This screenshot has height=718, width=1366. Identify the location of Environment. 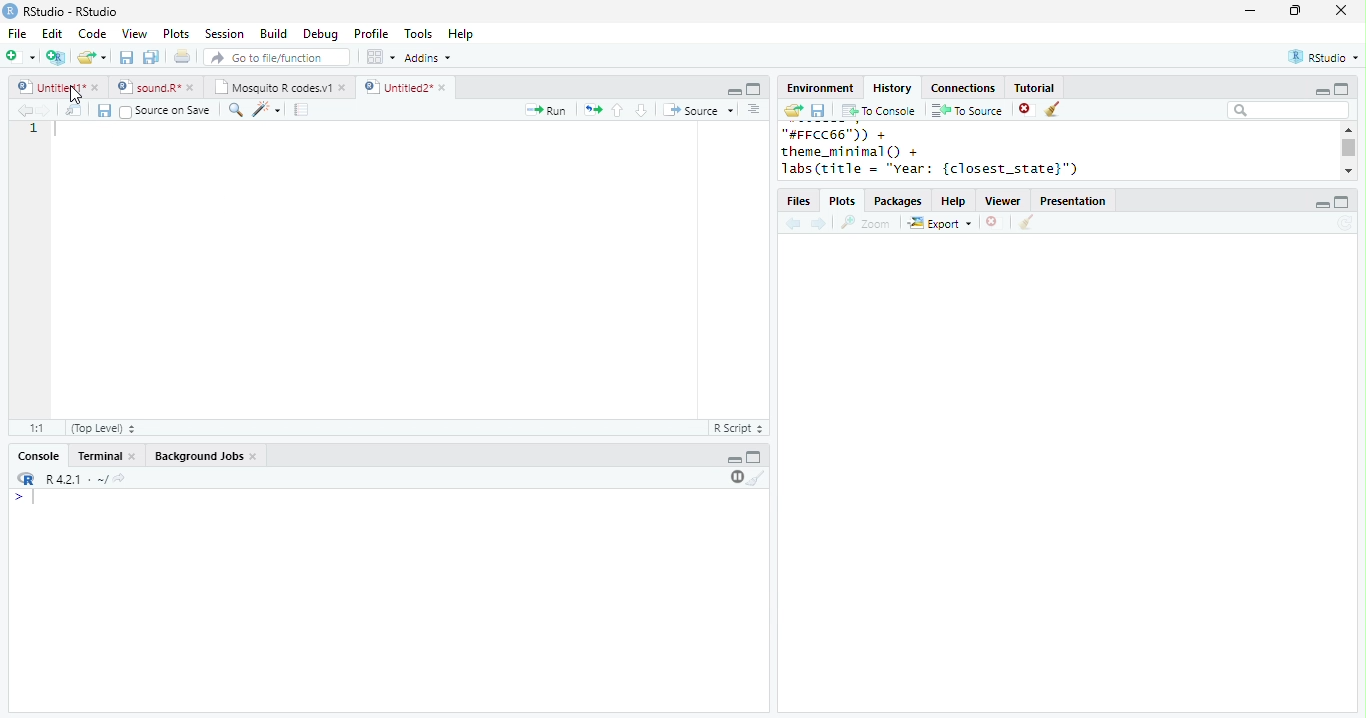
(819, 88).